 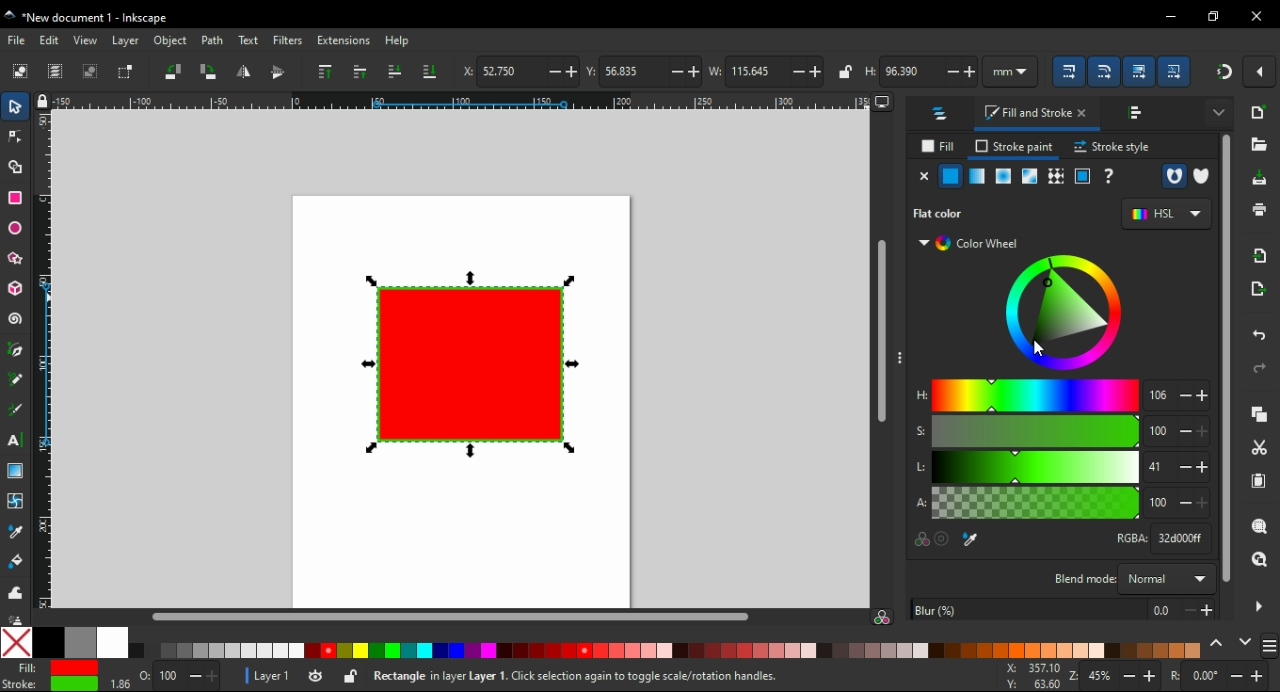 What do you see at coordinates (15, 471) in the screenshot?
I see `gradient tool` at bounding box center [15, 471].